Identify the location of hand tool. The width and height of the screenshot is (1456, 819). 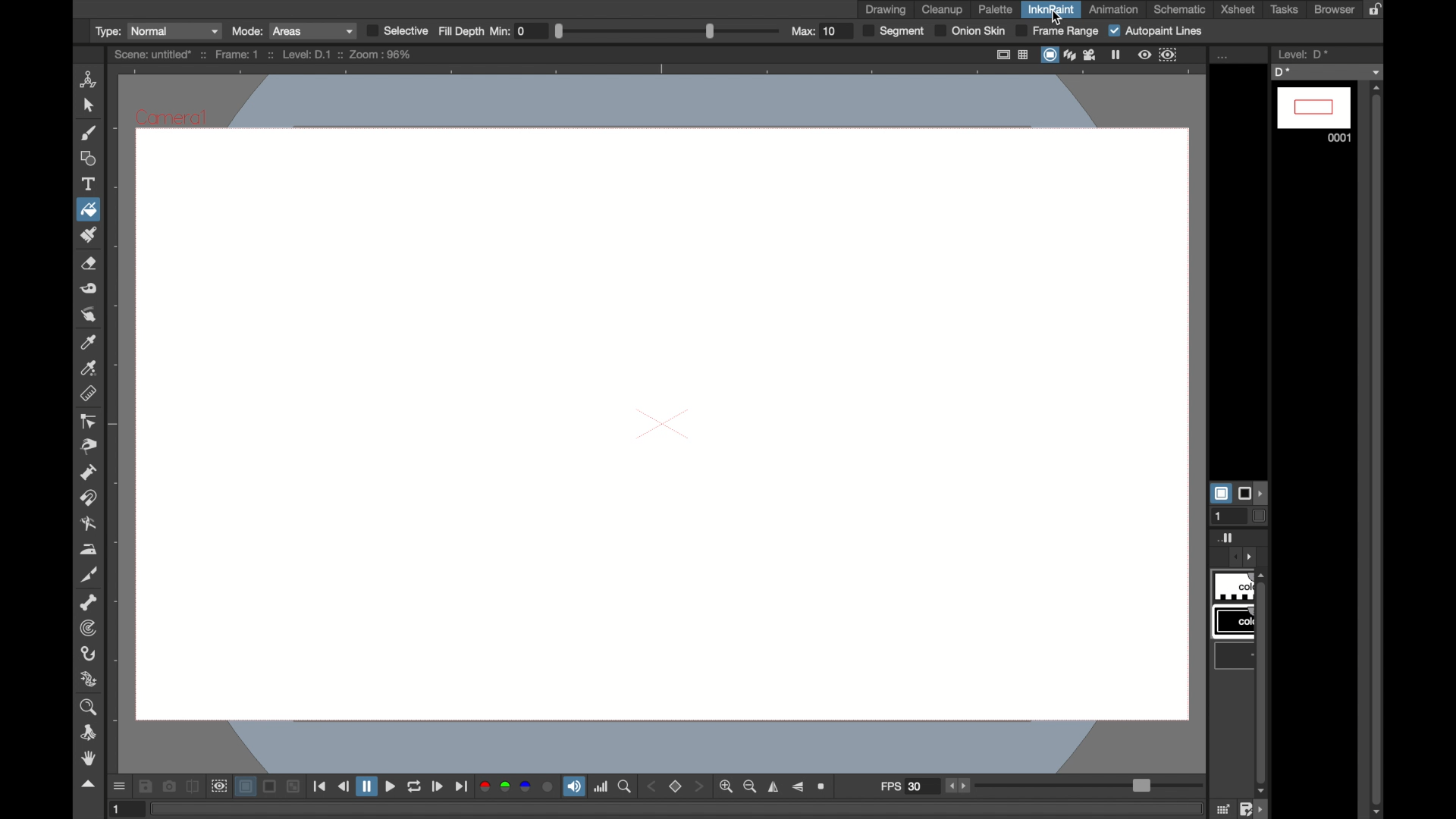
(90, 758).